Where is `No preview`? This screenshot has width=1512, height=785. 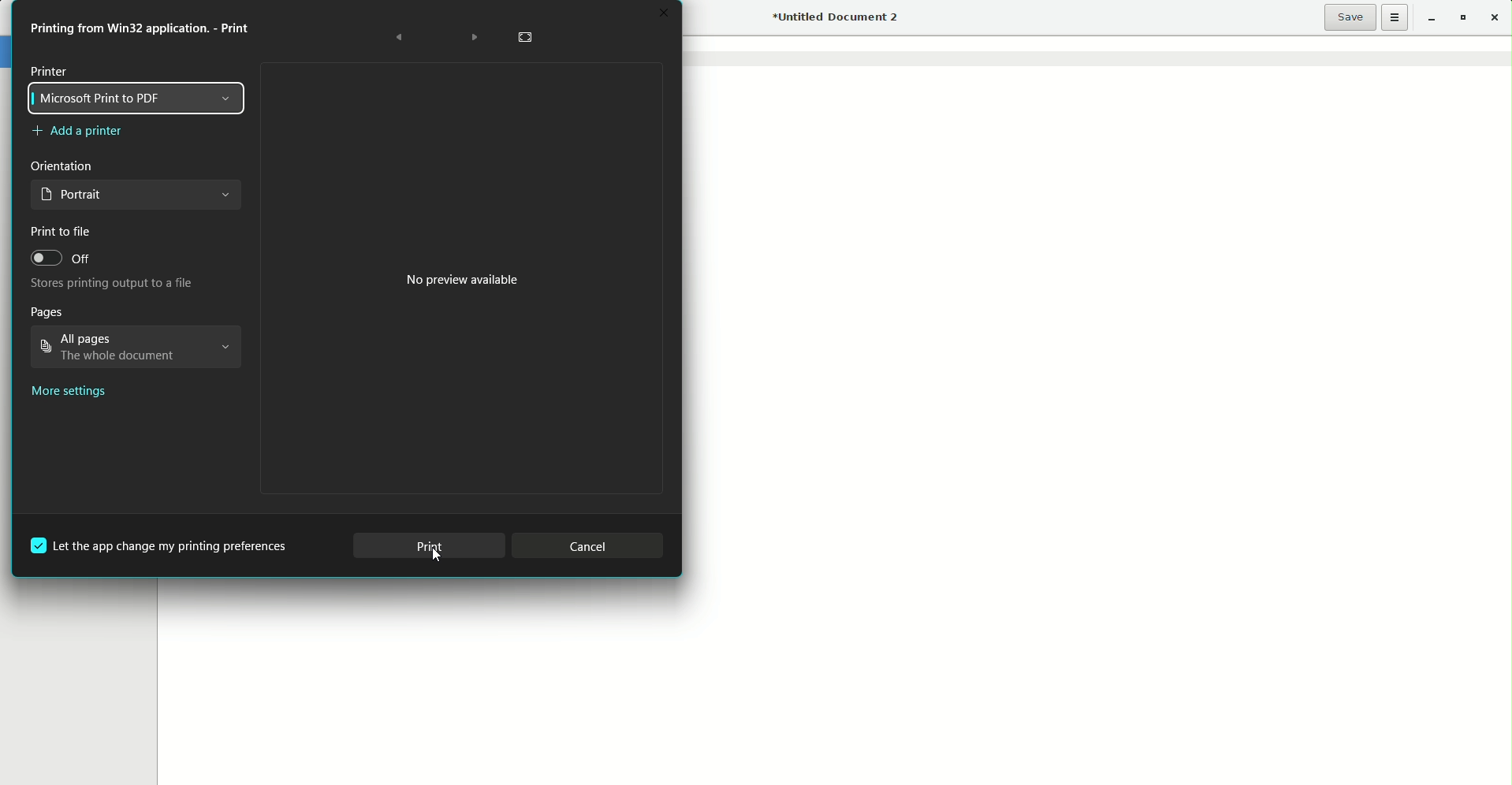 No preview is located at coordinates (463, 277).